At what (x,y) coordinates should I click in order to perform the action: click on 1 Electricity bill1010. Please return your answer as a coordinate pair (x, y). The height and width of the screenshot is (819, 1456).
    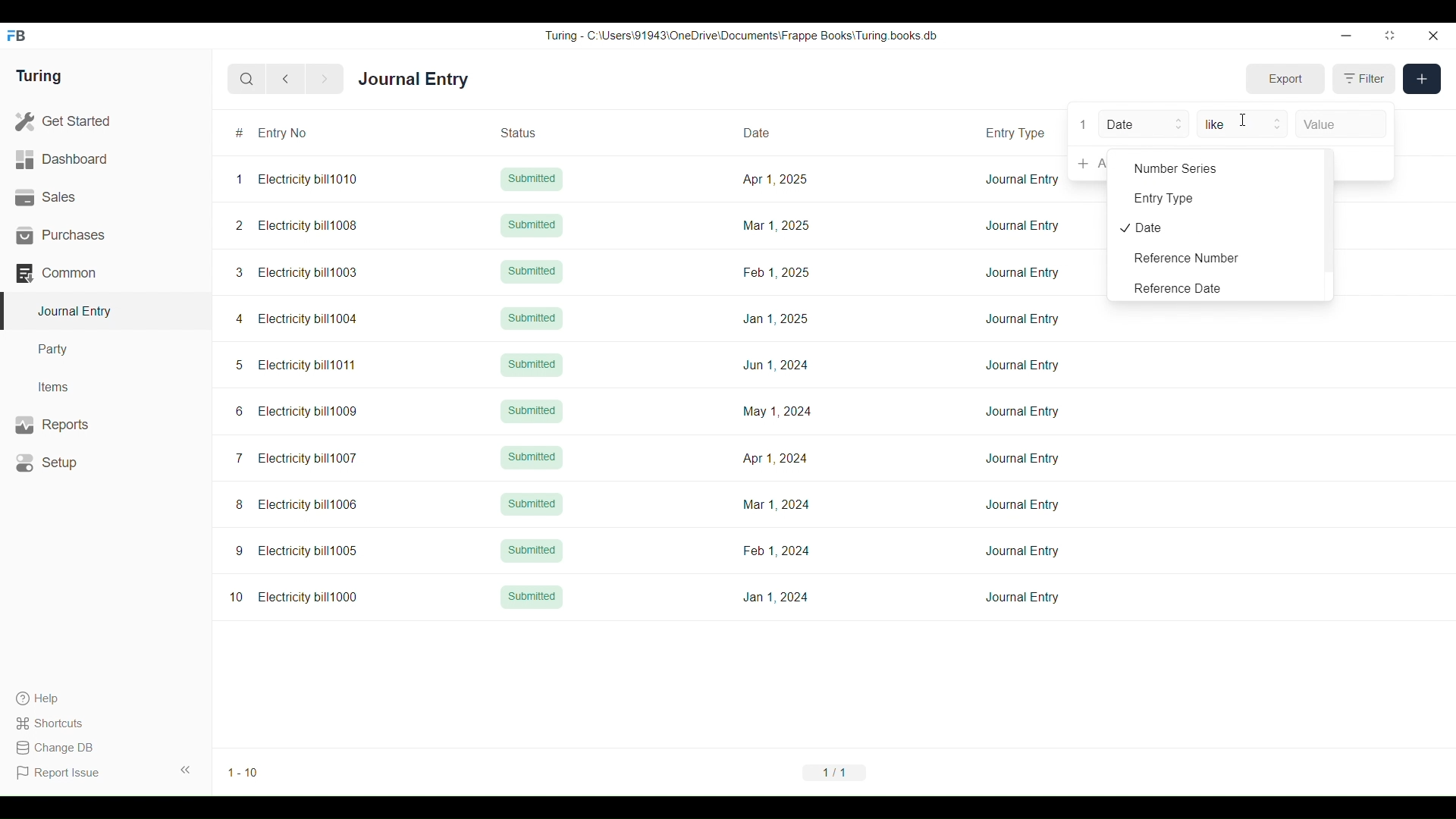
    Looking at the image, I should click on (297, 179).